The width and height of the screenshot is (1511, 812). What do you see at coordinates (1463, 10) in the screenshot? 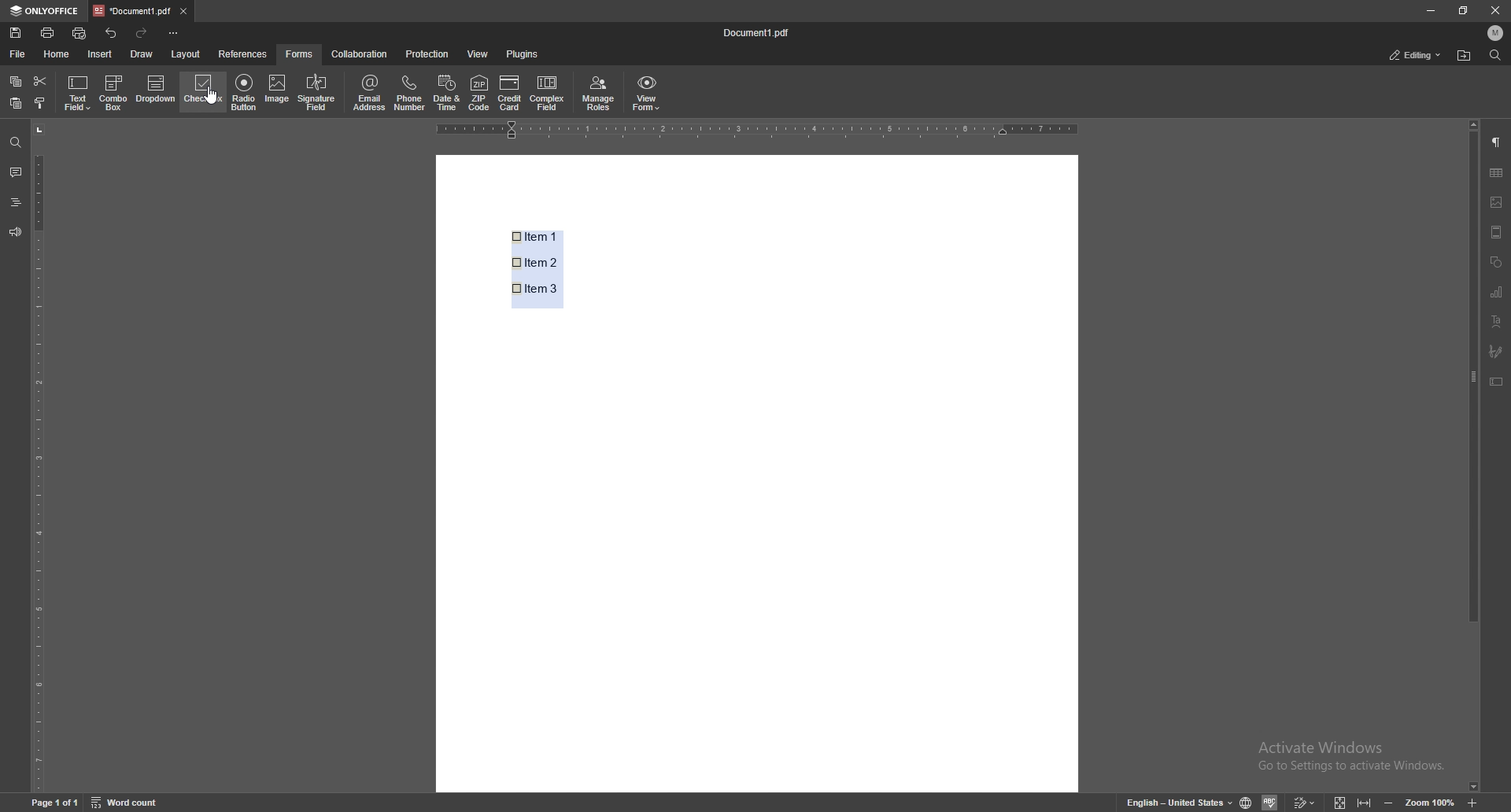
I see `resize` at bounding box center [1463, 10].